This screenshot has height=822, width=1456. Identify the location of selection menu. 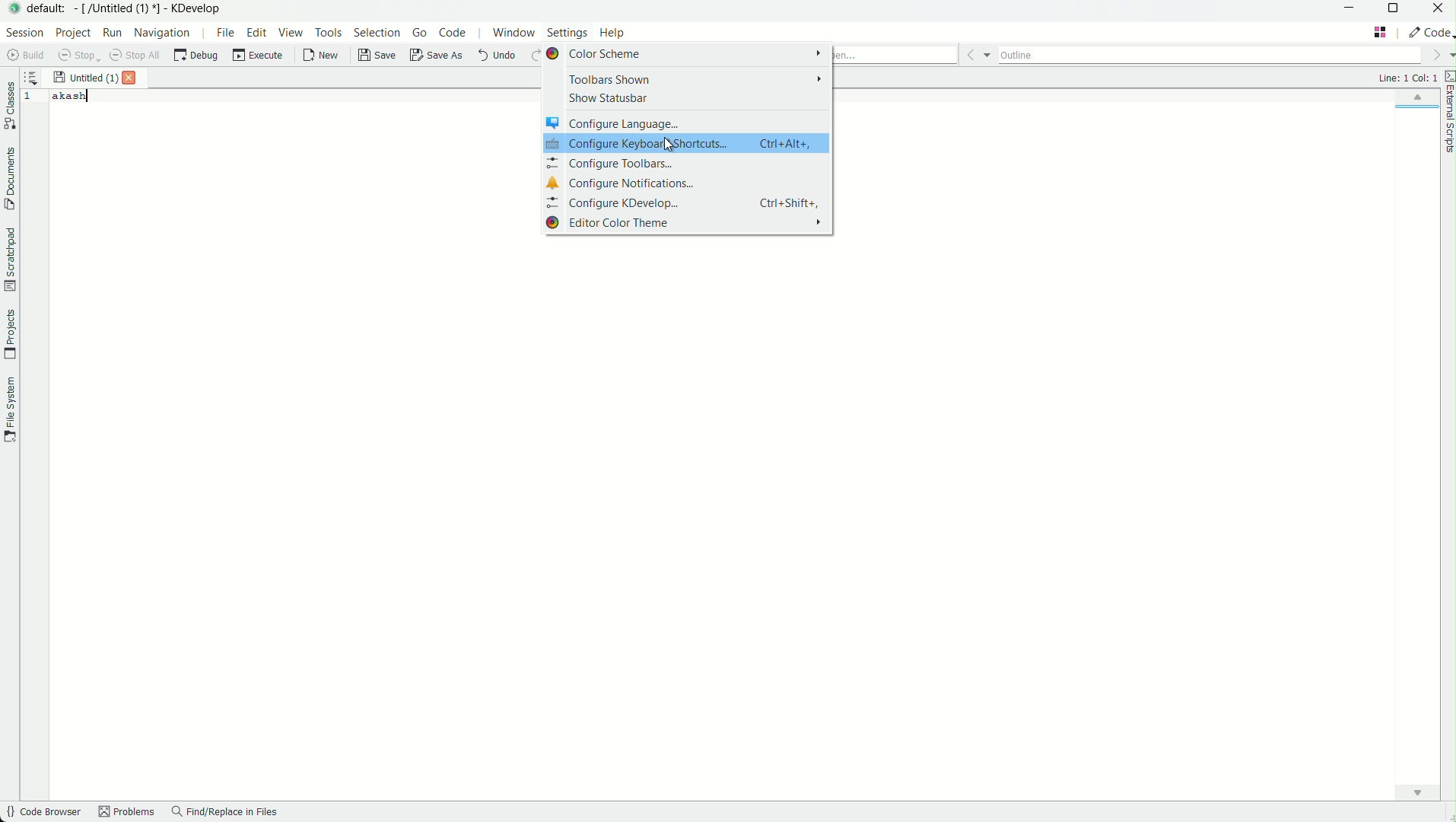
(377, 33).